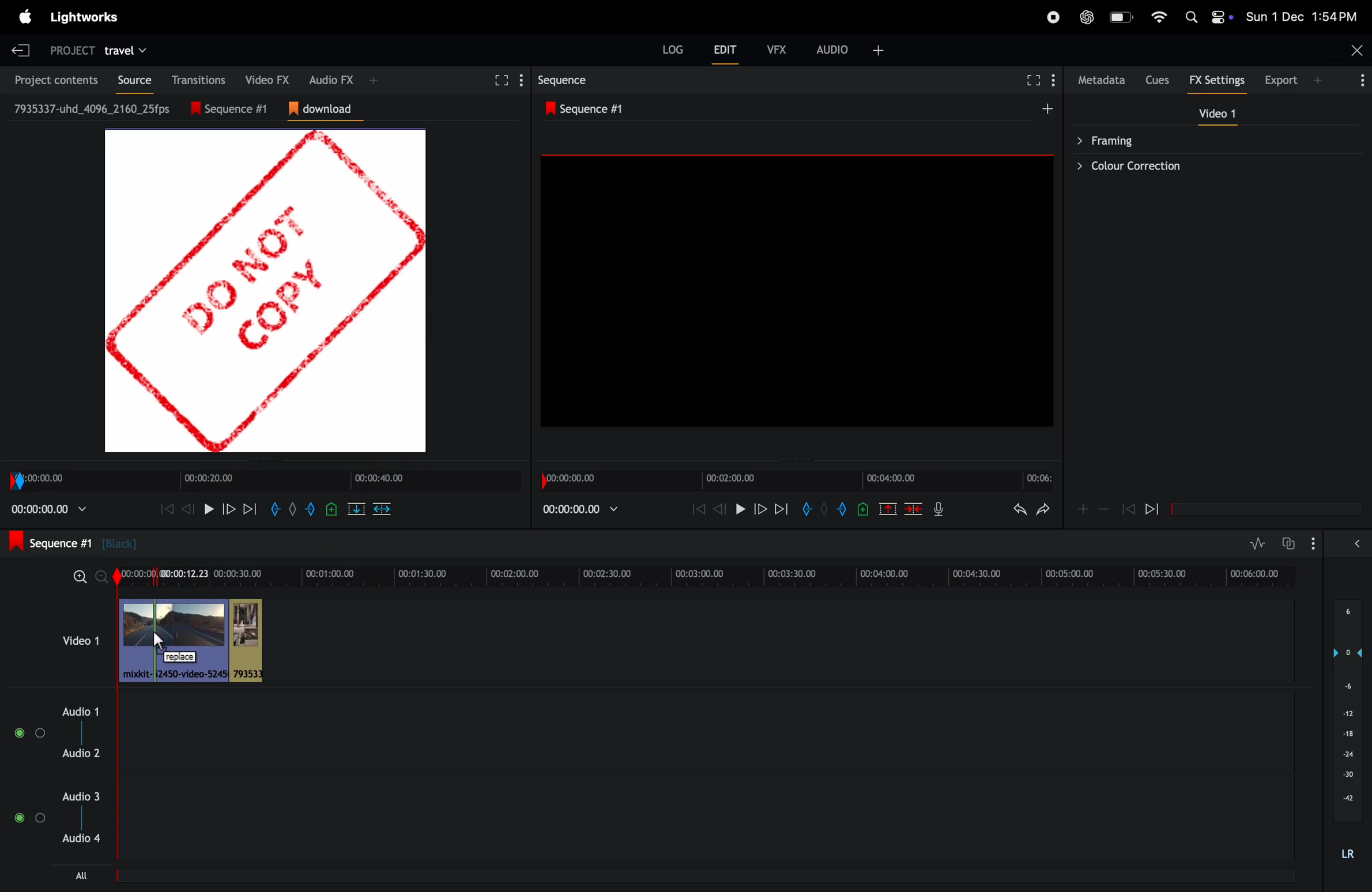 This screenshot has height=892, width=1372. Describe the element at coordinates (879, 51) in the screenshot. I see `Add` at that location.